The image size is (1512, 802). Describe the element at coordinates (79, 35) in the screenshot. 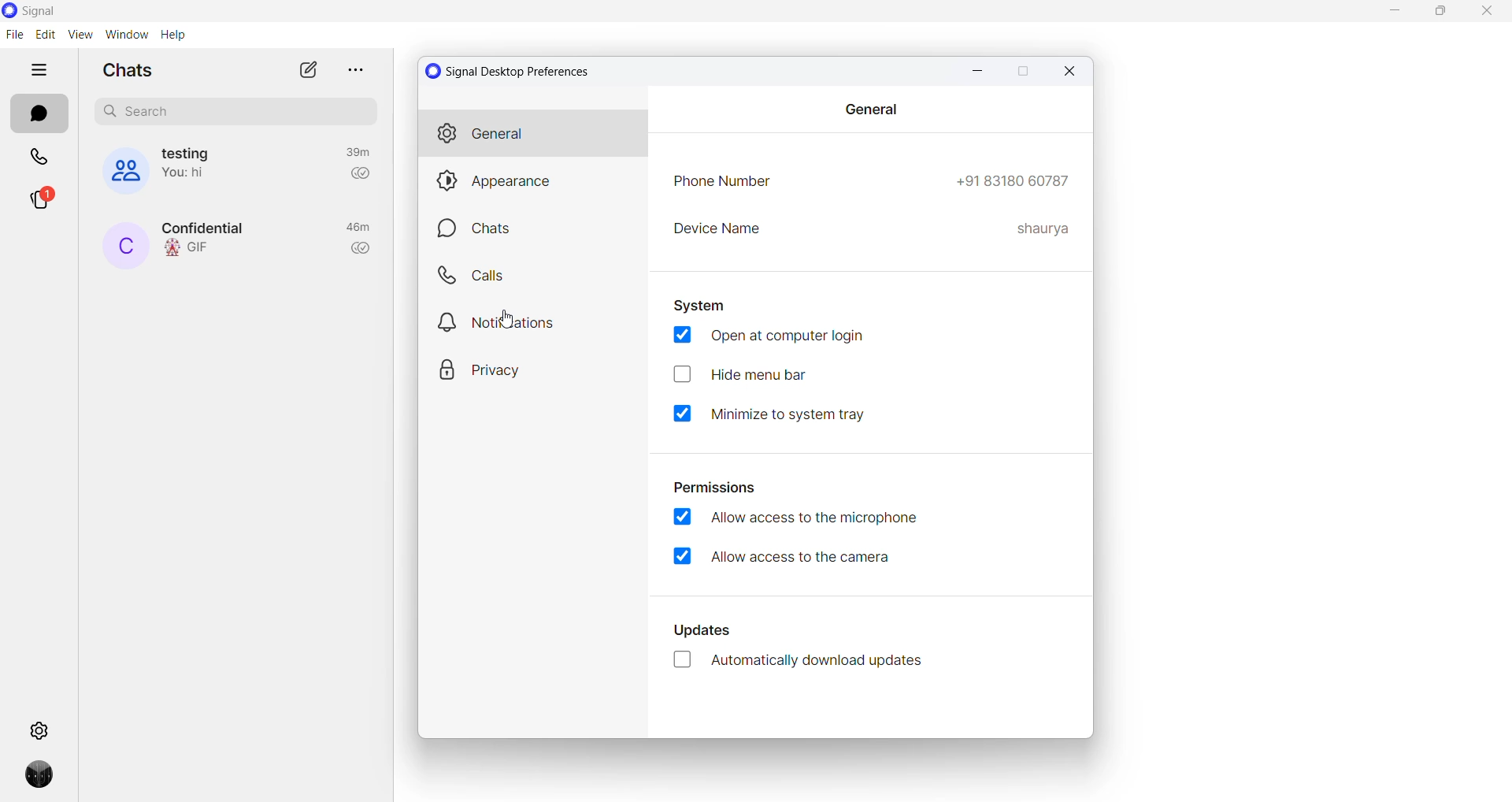

I see `view` at that location.